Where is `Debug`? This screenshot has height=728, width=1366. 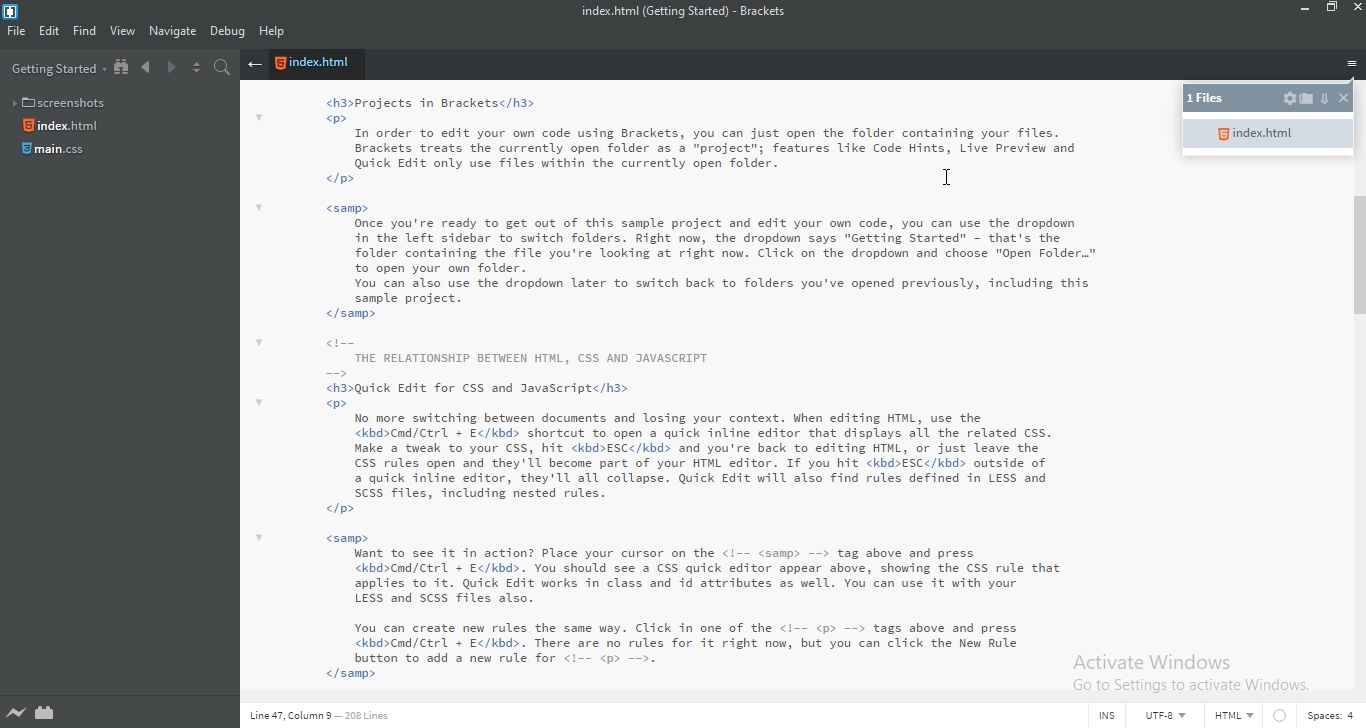
Debug is located at coordinates (228, 33).